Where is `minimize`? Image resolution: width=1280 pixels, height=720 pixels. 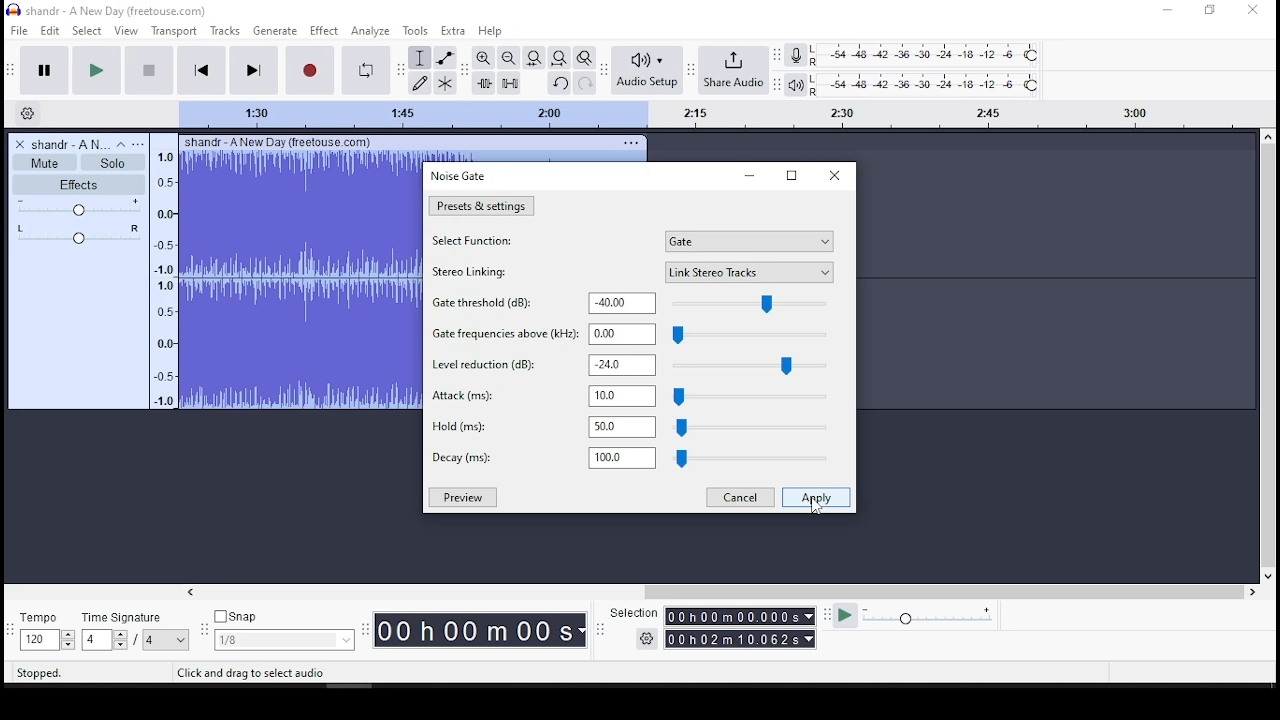 minimize is located at coordinates (748, 175).